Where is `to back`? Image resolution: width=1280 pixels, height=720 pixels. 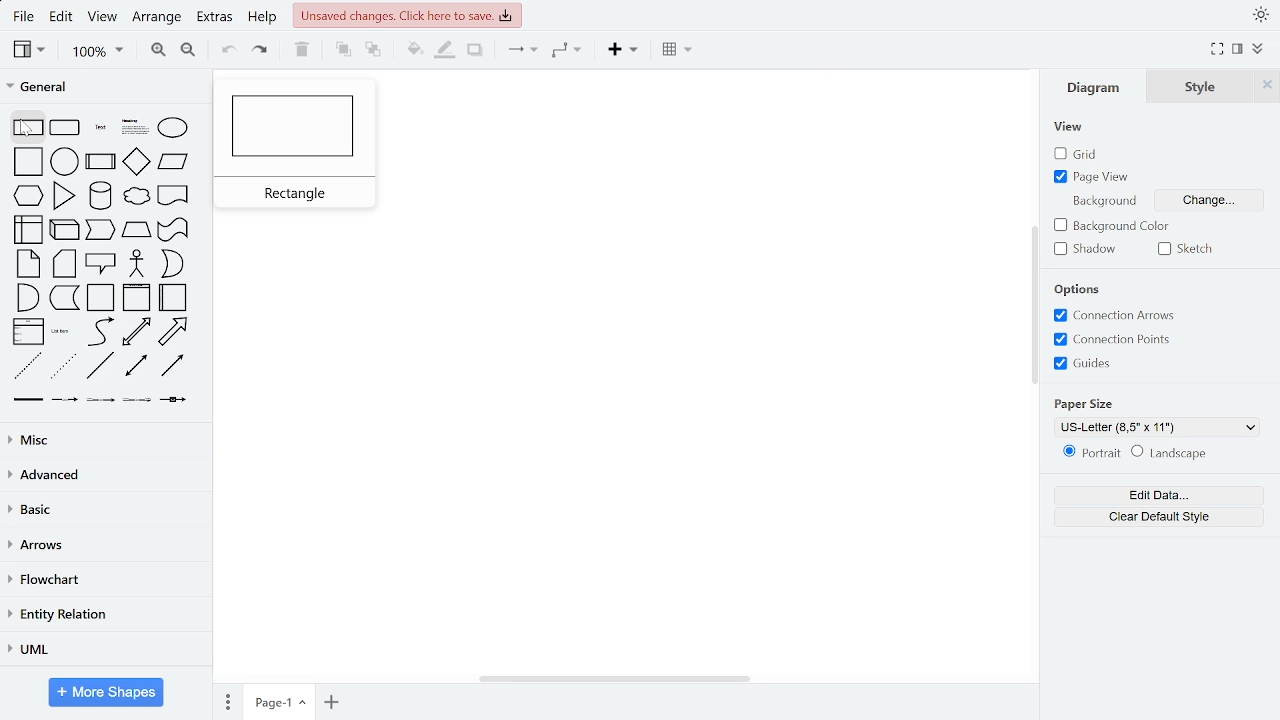 to back is located at coordinates (372, 51).